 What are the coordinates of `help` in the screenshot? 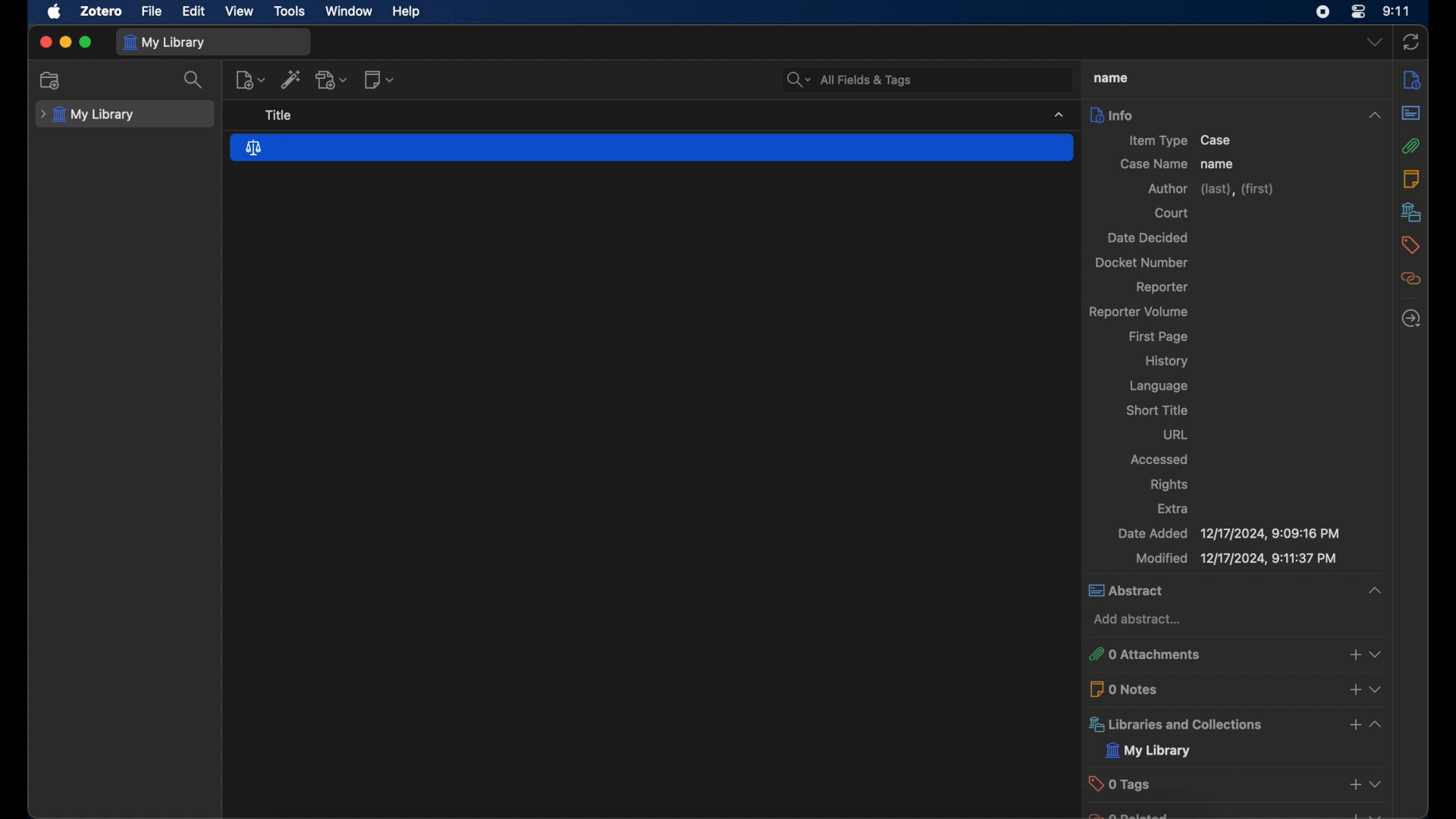 It's located at (408, 11).